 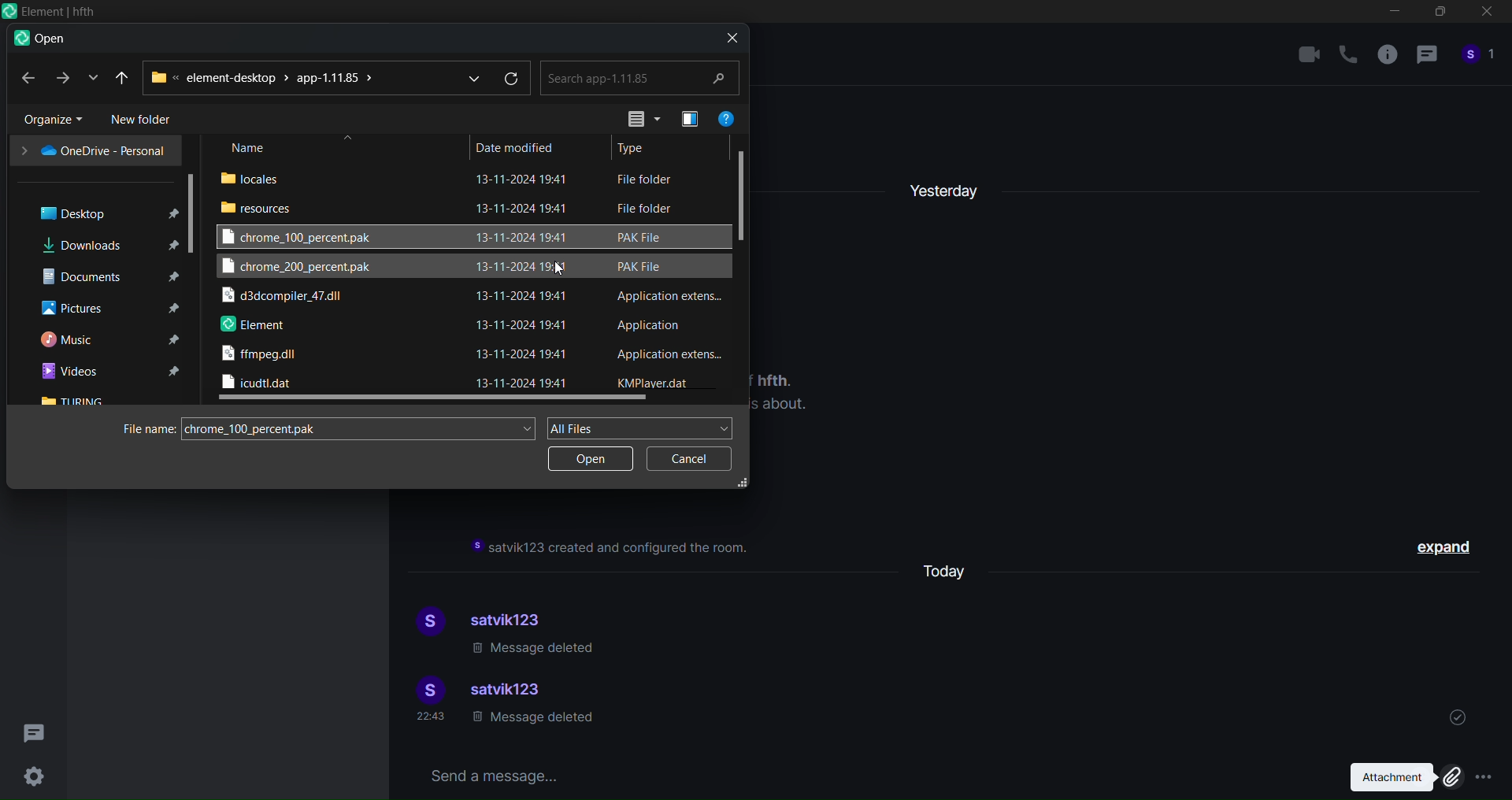 I want to click on desktop, so click(x=99, y=212).